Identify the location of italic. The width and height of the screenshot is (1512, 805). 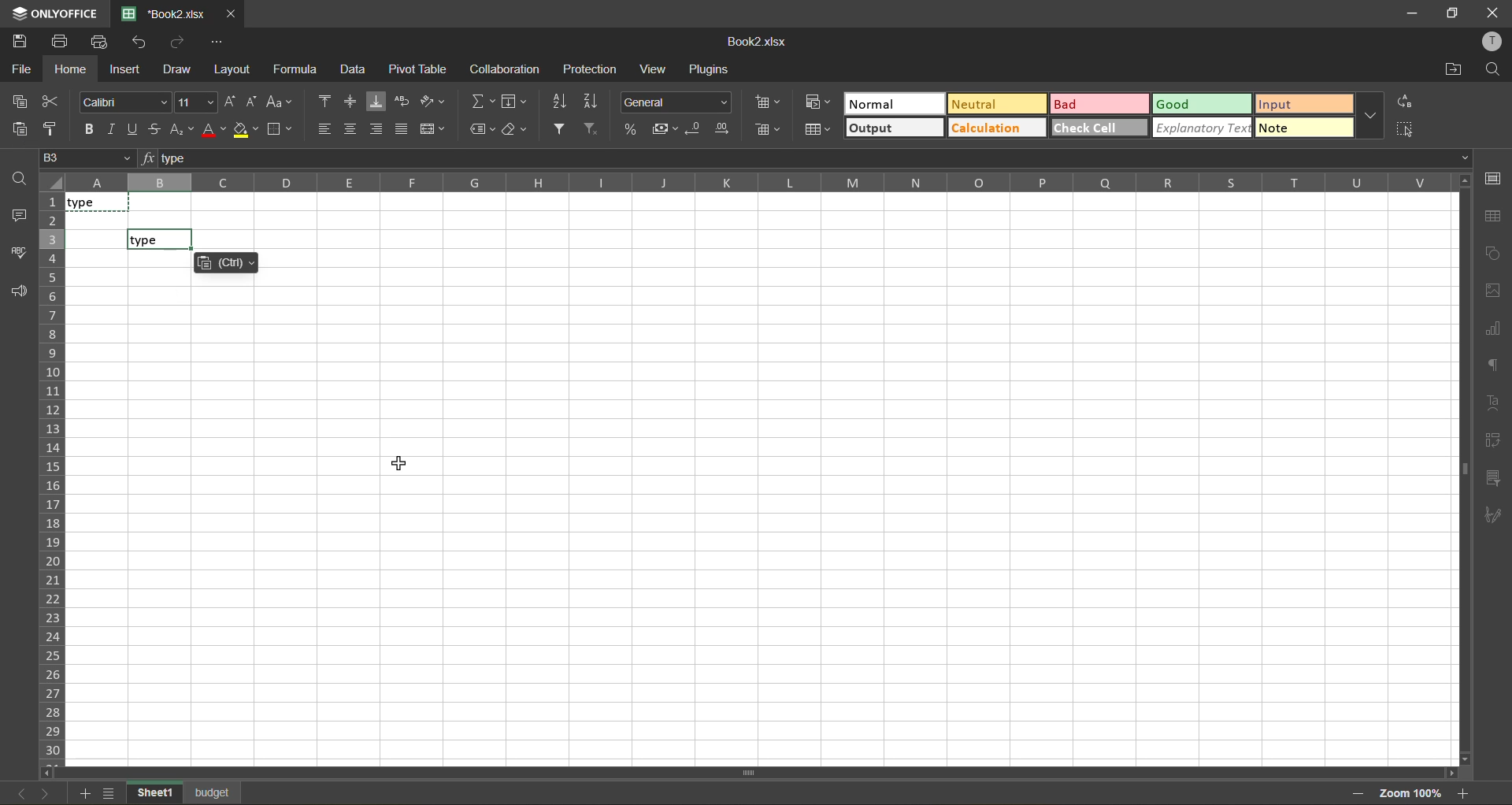
(110, 129).